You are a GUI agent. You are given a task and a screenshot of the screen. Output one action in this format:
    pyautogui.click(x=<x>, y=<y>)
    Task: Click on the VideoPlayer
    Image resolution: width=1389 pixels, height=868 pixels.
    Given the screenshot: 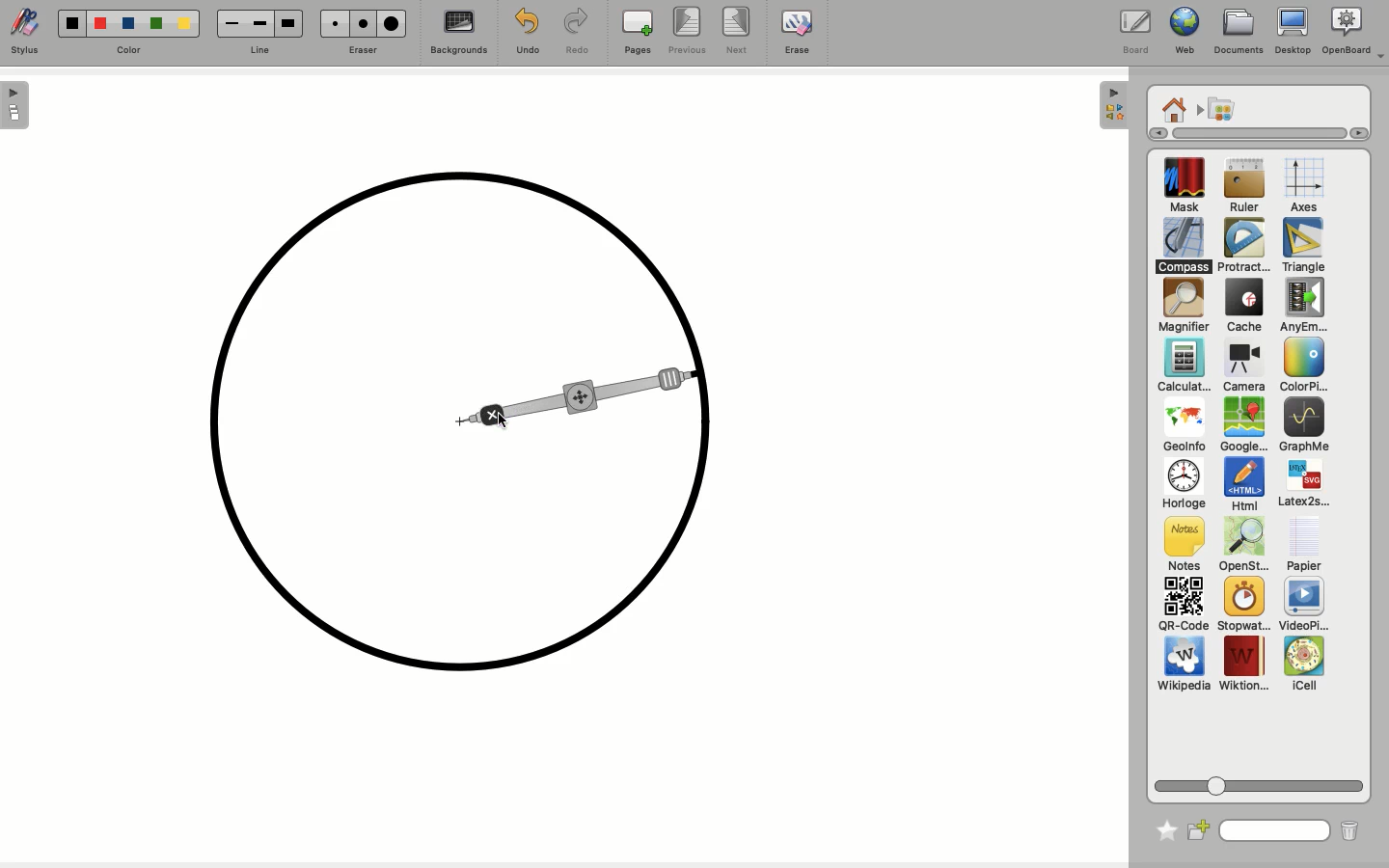 What is the action you would take?
    pyautogui.click(x=1304, y=605)
    